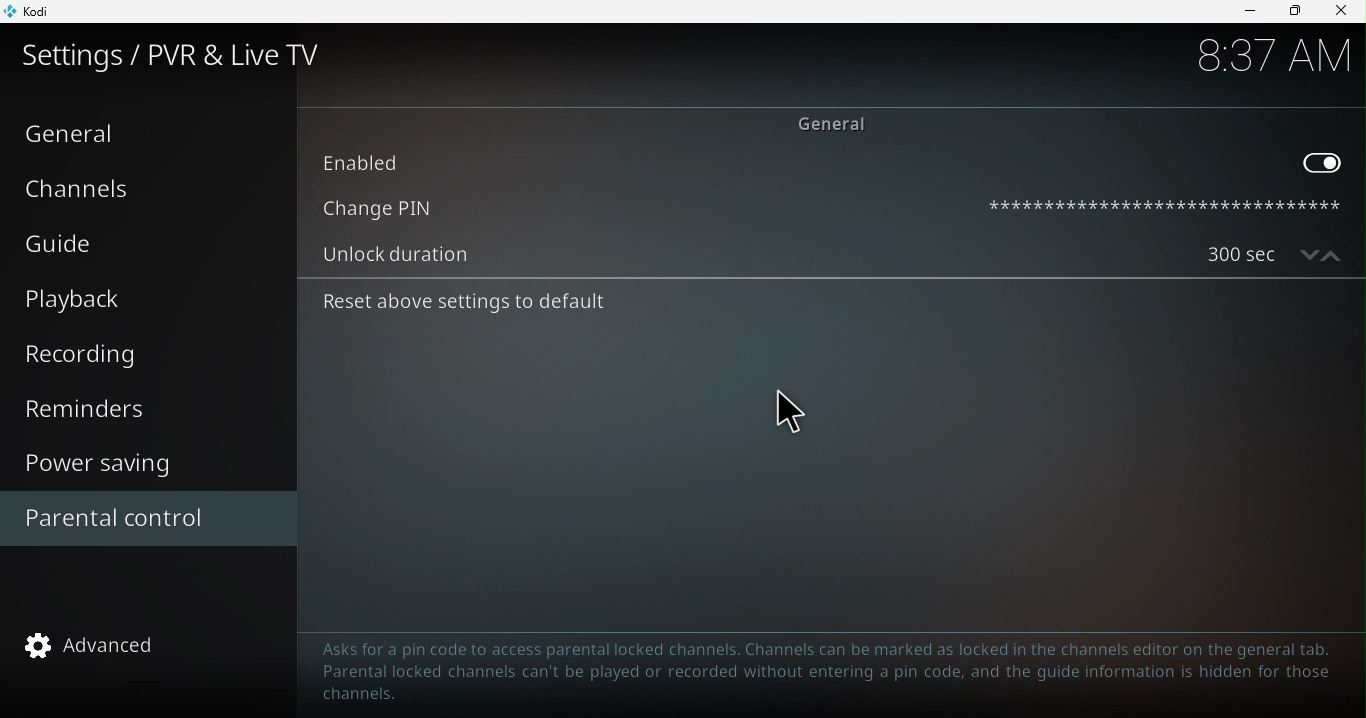 Image resolution: width=1366 pixels, height=718 pixels. I want to click on General, so click(145, 134).